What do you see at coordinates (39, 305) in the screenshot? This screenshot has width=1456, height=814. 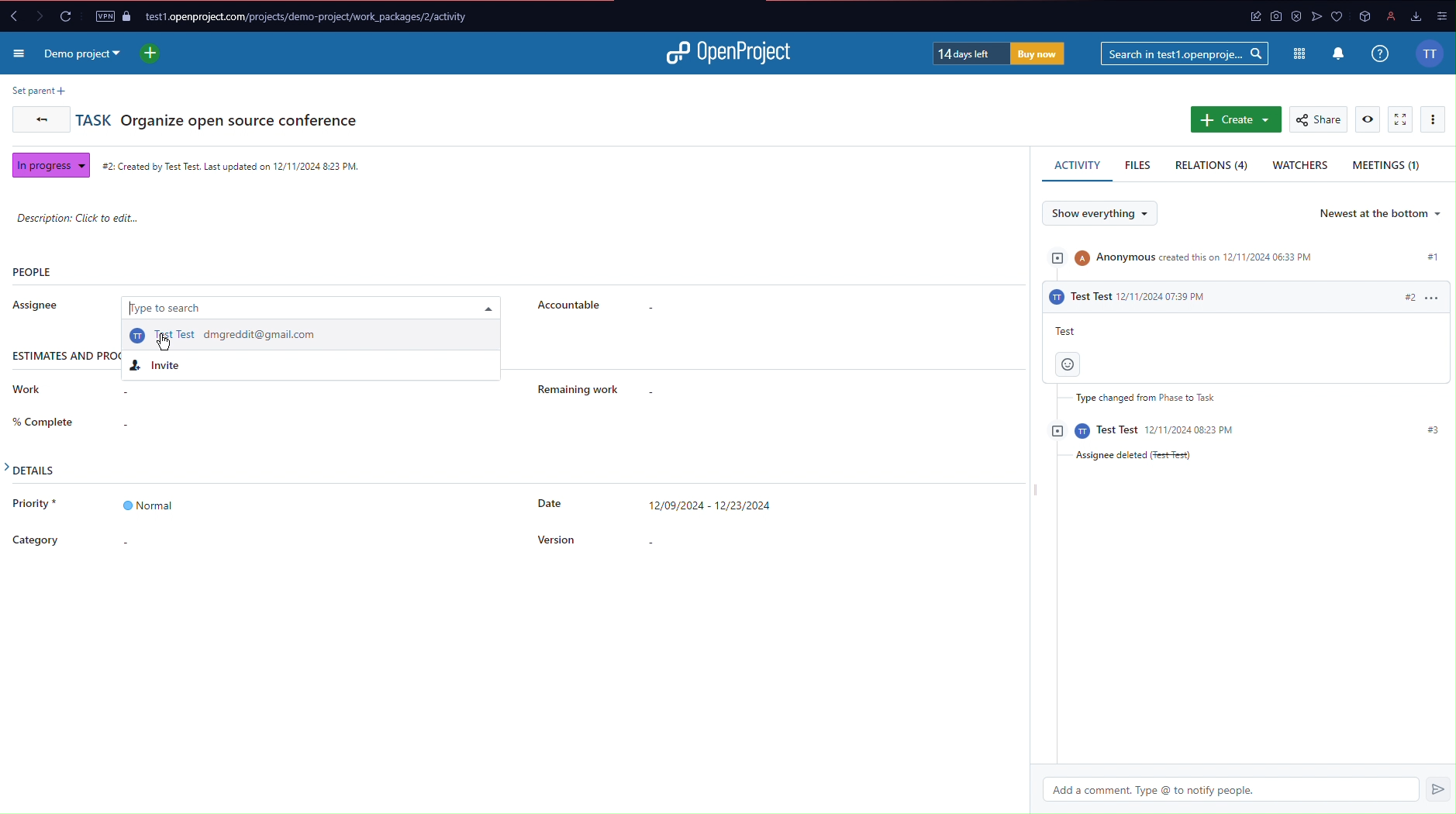 I see `Assignee` at bounding box center [39, 305].